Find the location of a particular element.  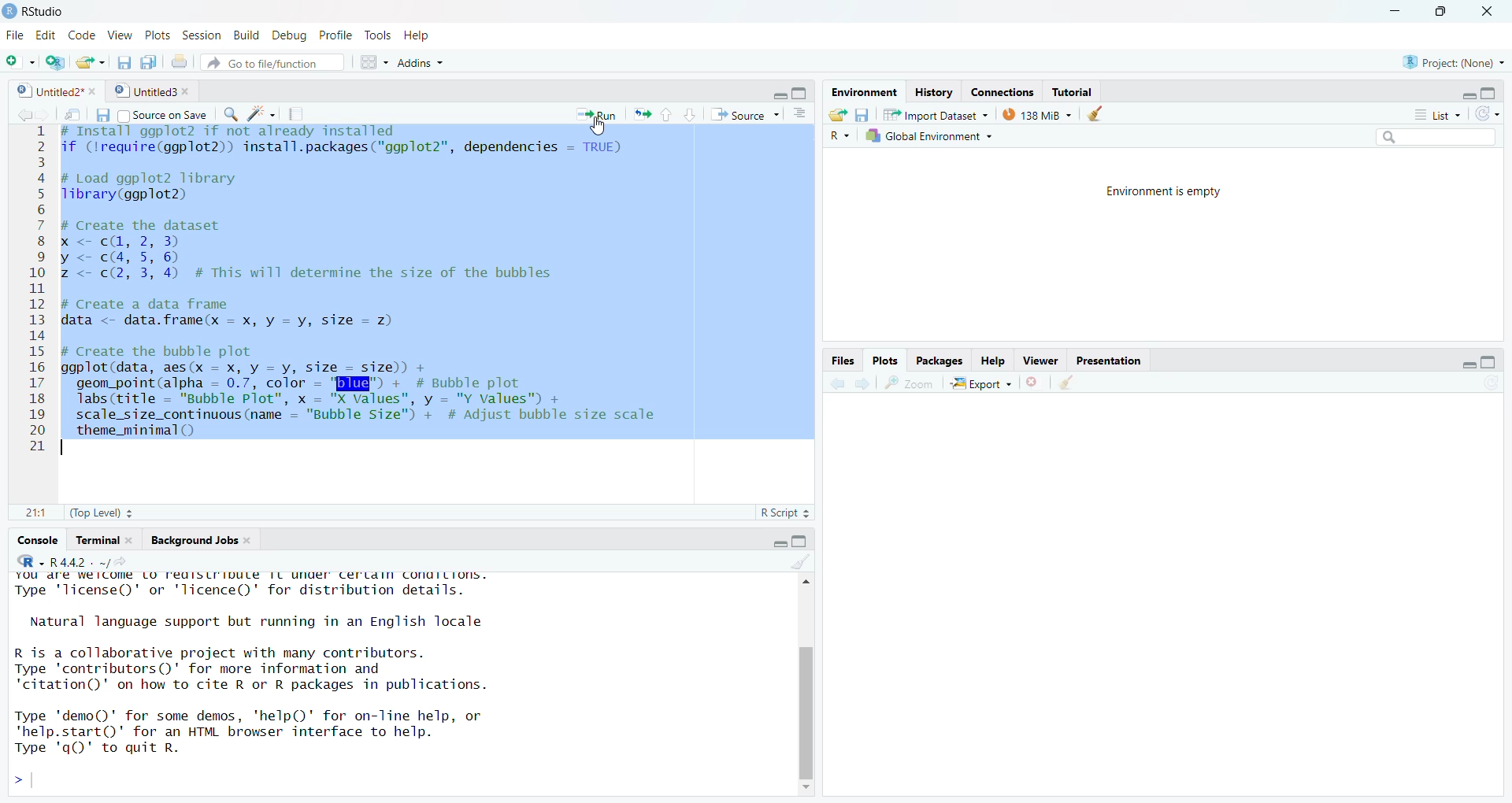

History is located at coordinates (932, 90).